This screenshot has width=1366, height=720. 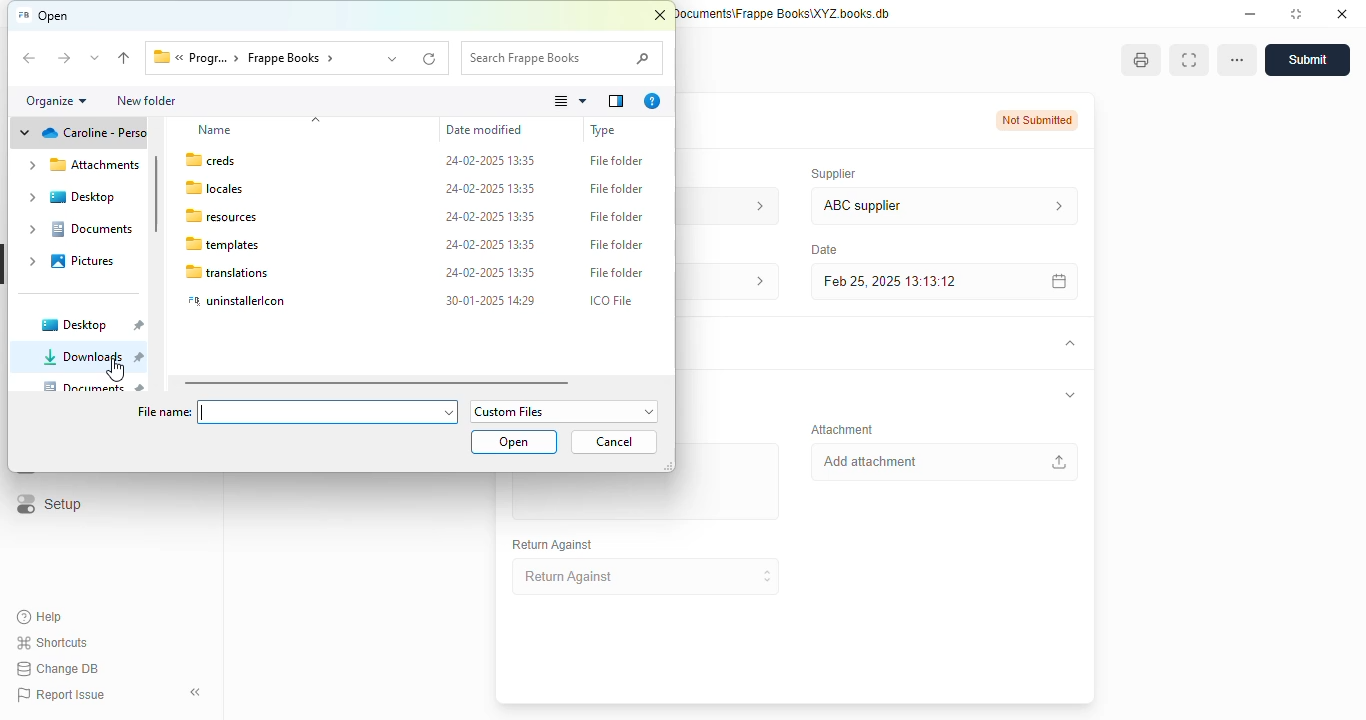 What do you see at coordinates (163, 412) in the screenshot?
I see `file name: ` at bounding box center [163, 412].